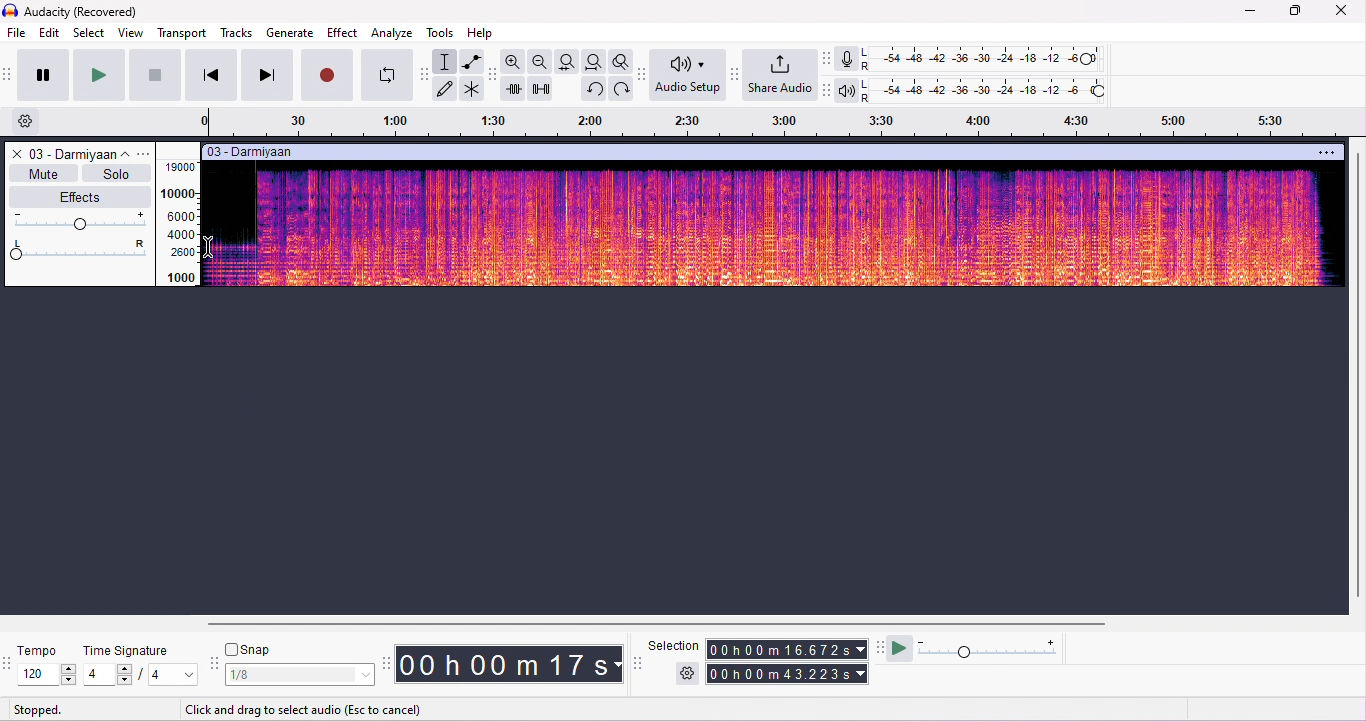 This screenshot has width=1366, height=722. What do you see at coordinates (515, 88) in the screenshot?
I see `trim outside selection` at bounding box center [515, 88].